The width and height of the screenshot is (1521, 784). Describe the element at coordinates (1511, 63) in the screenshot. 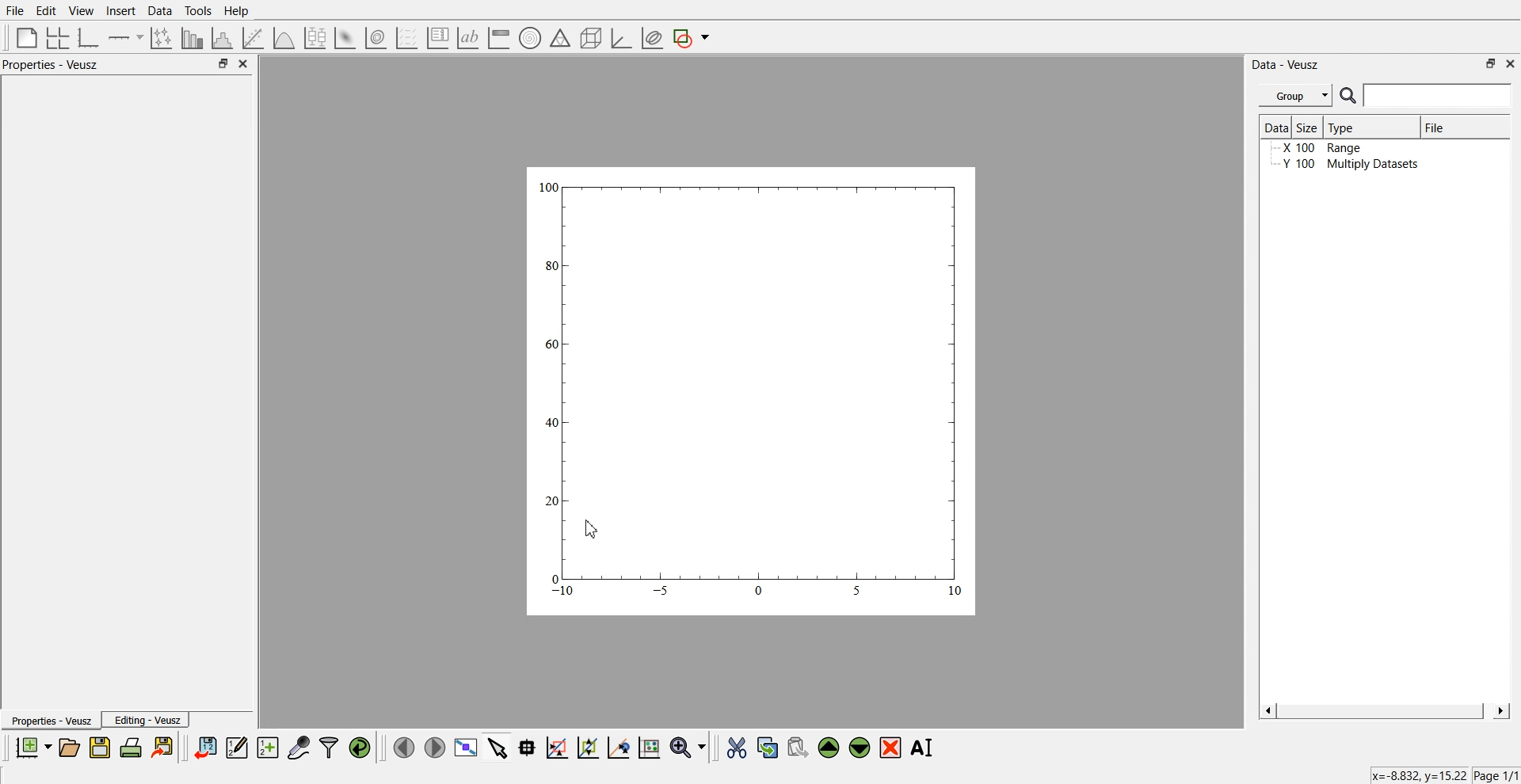

I see `close` at that location.